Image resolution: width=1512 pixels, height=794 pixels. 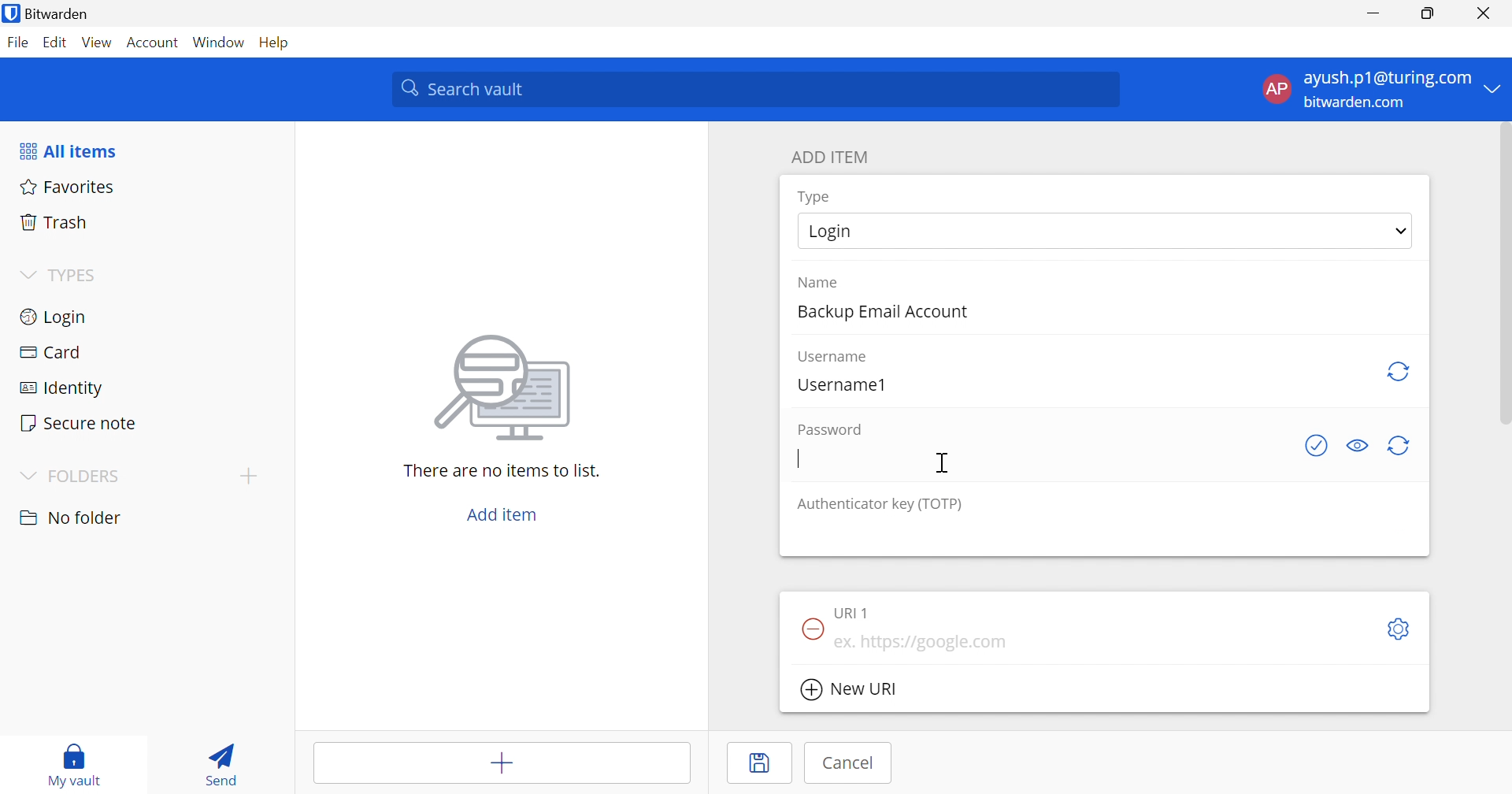 I want to click on Generate password, so click(x=1403, y=447).